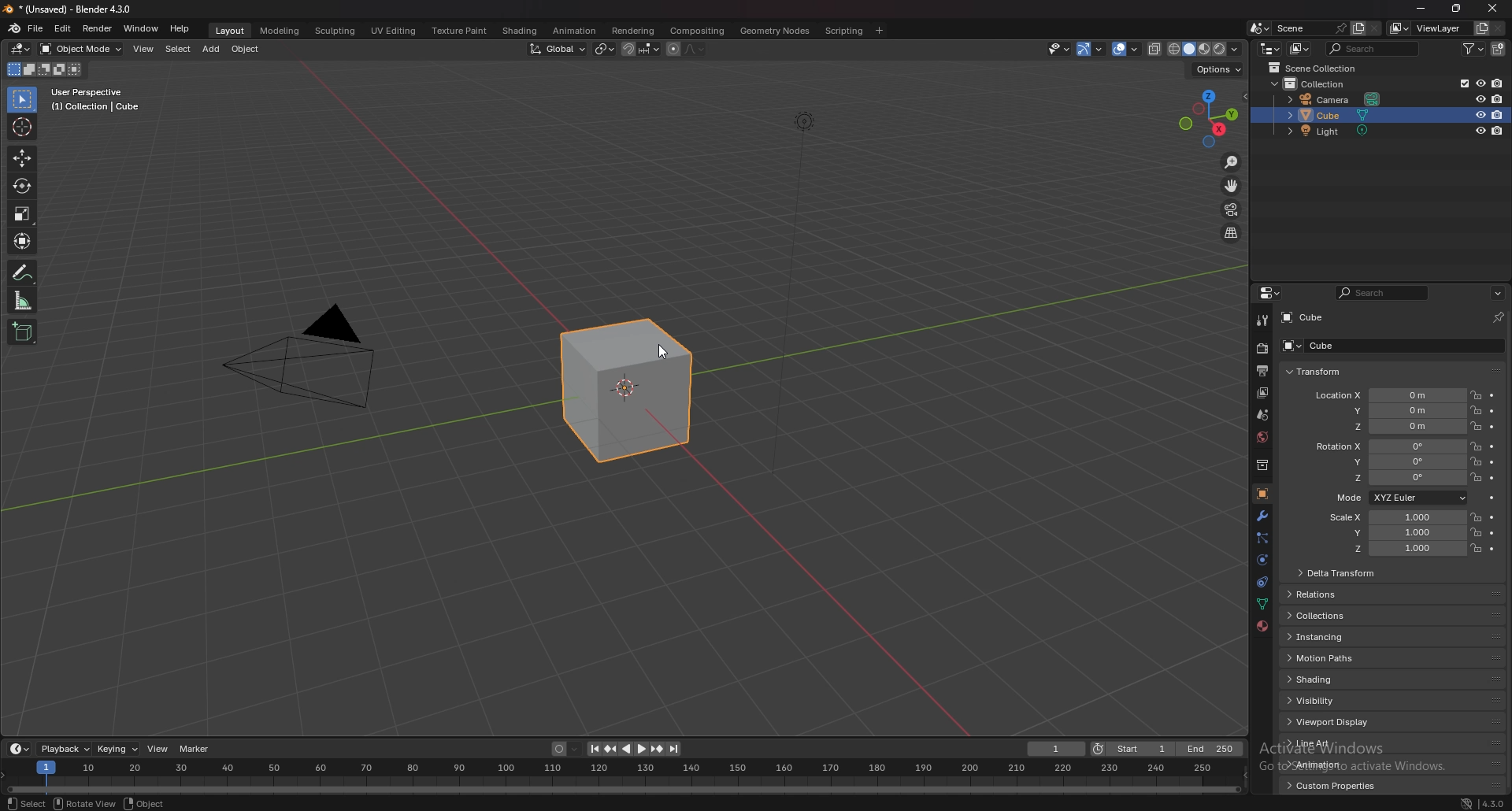 The image size is (1512, 811). I want to click on zoom, so click(1232, 163).